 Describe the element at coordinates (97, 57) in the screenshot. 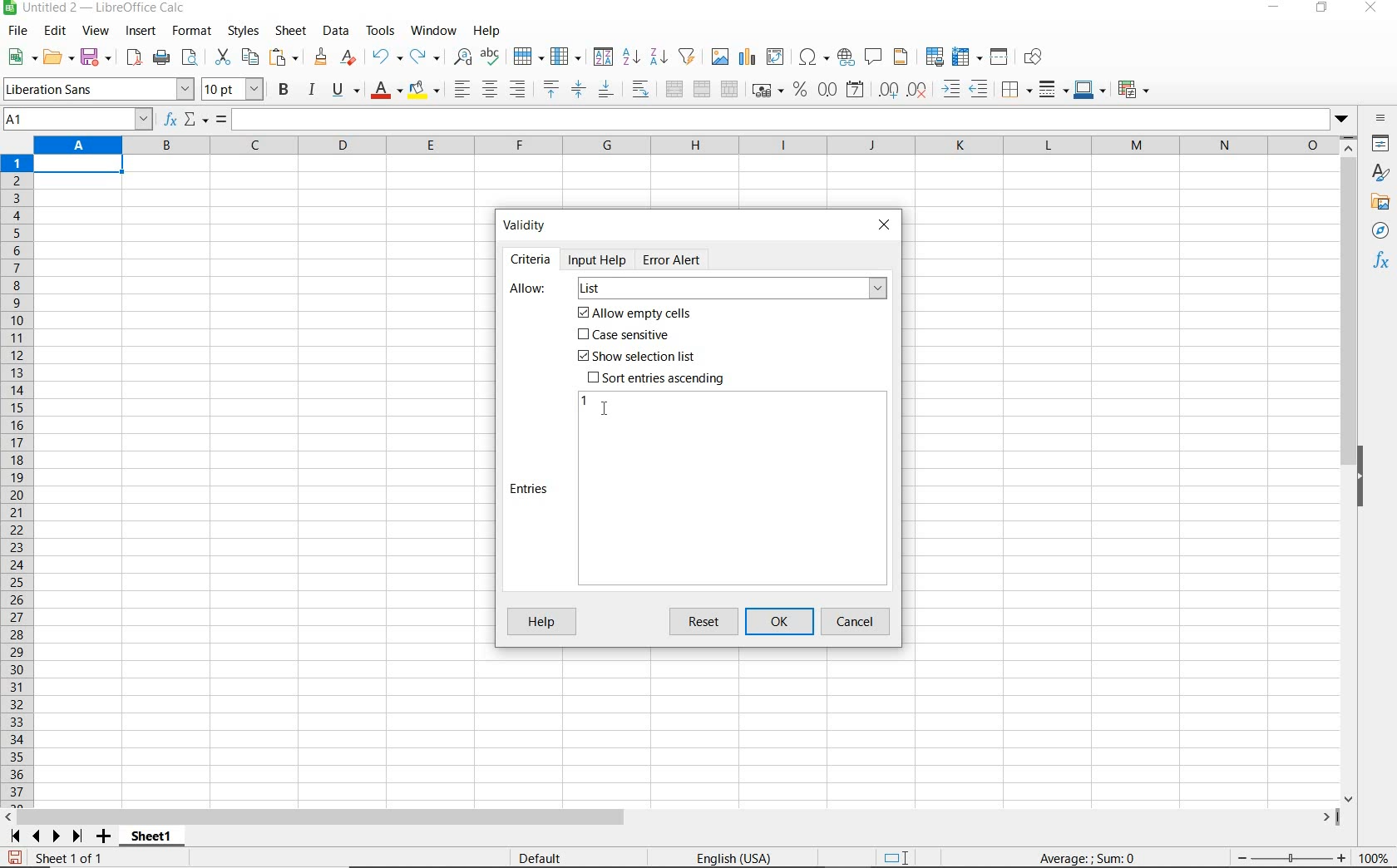

I see `save` at that location.